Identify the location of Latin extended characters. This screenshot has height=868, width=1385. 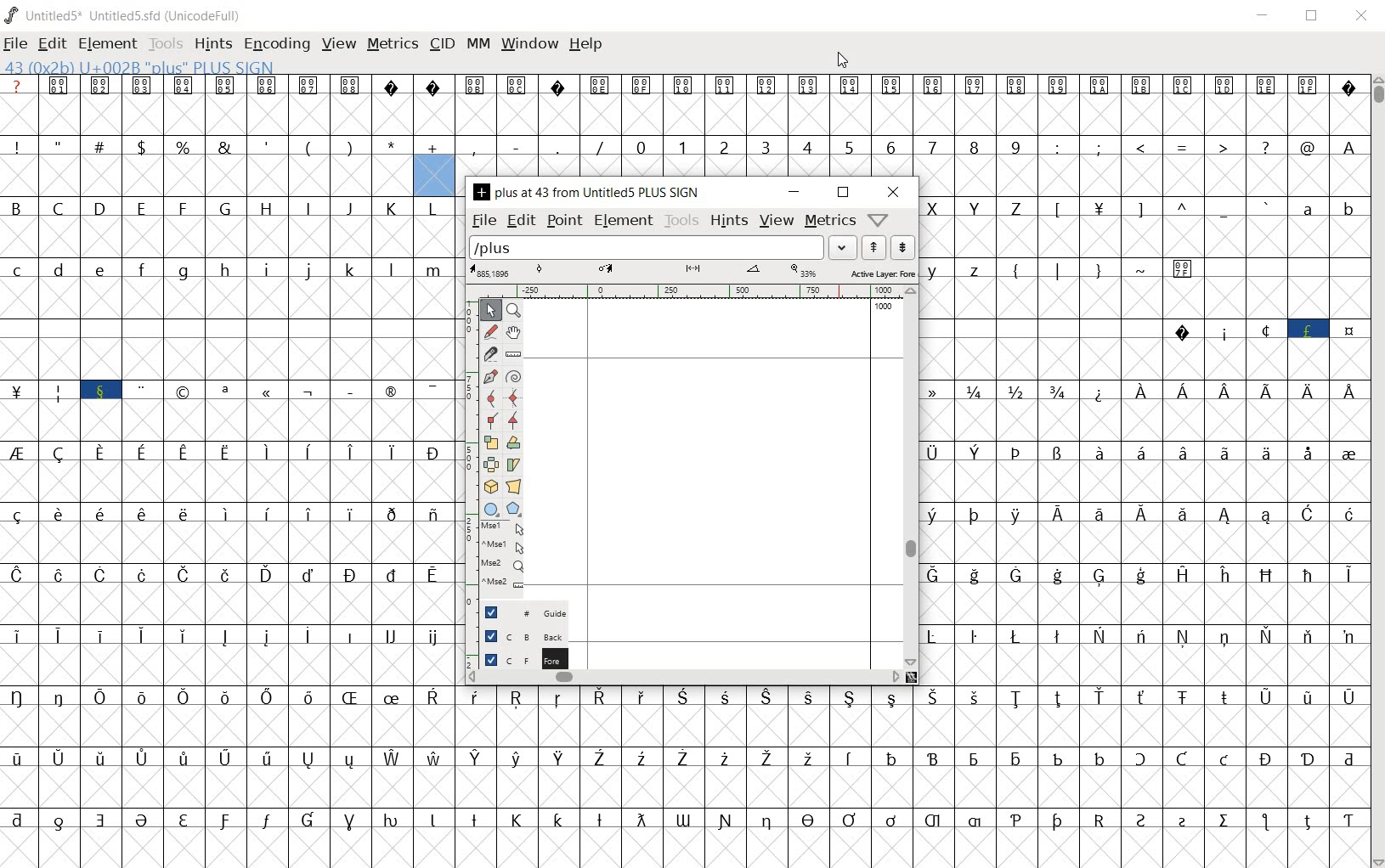
(1245, 412).